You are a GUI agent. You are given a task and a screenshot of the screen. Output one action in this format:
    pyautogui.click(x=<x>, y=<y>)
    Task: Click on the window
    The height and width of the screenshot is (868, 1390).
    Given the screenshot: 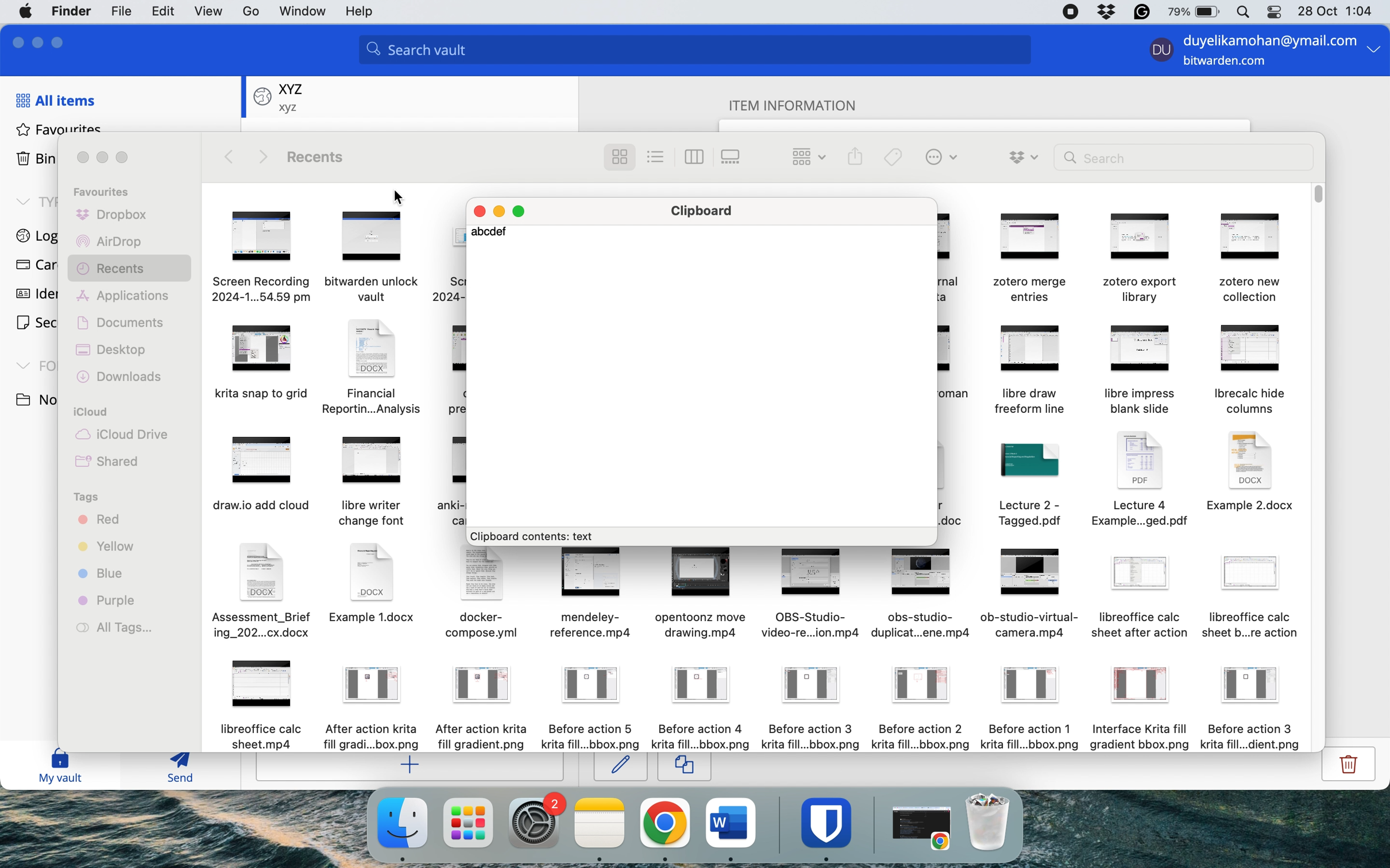 What is the action you would take?
    pyautogui.click(x=302, y=12)
    